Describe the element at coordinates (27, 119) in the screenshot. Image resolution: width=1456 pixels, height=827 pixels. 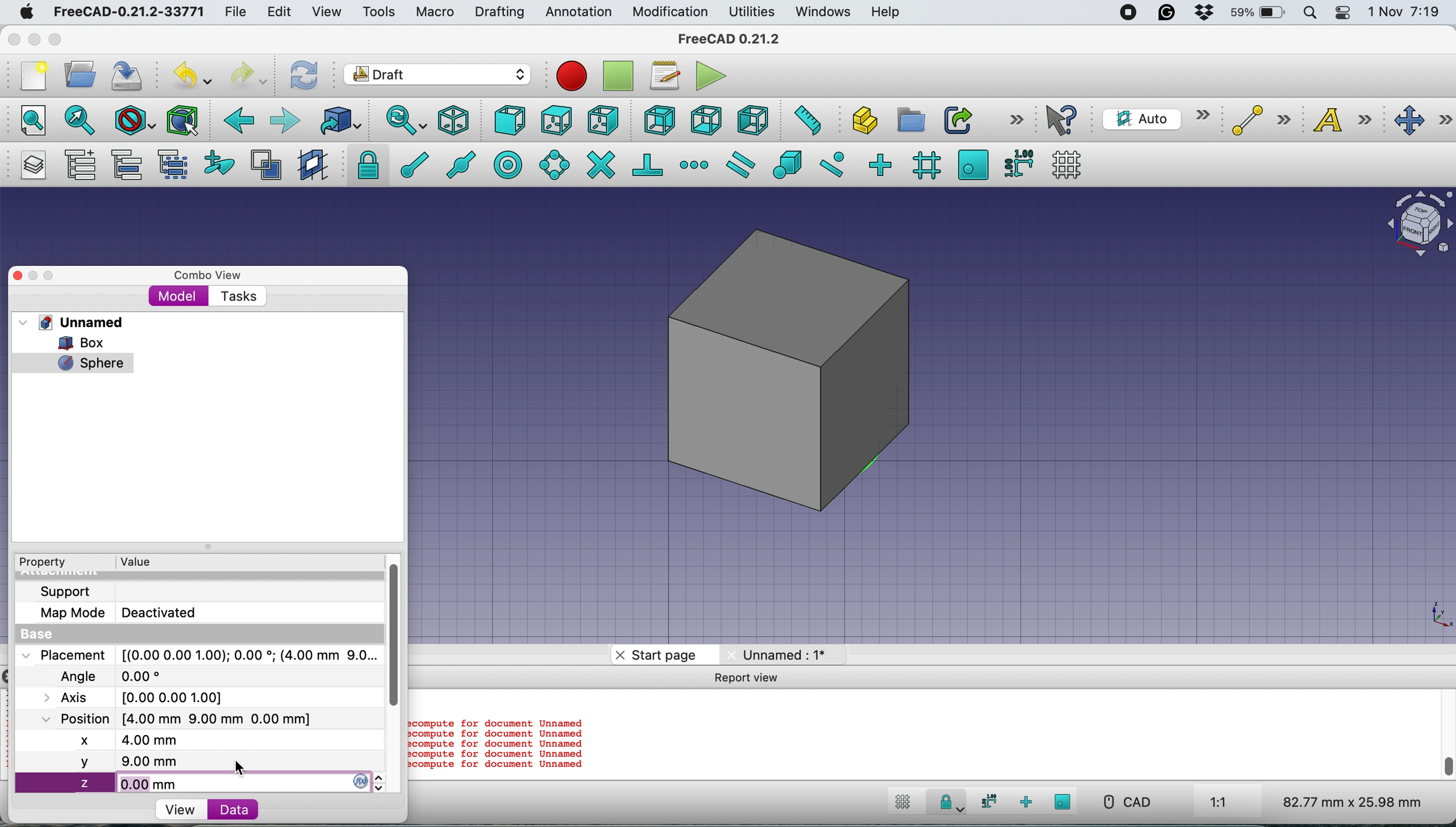
I see `fit all` at that location.